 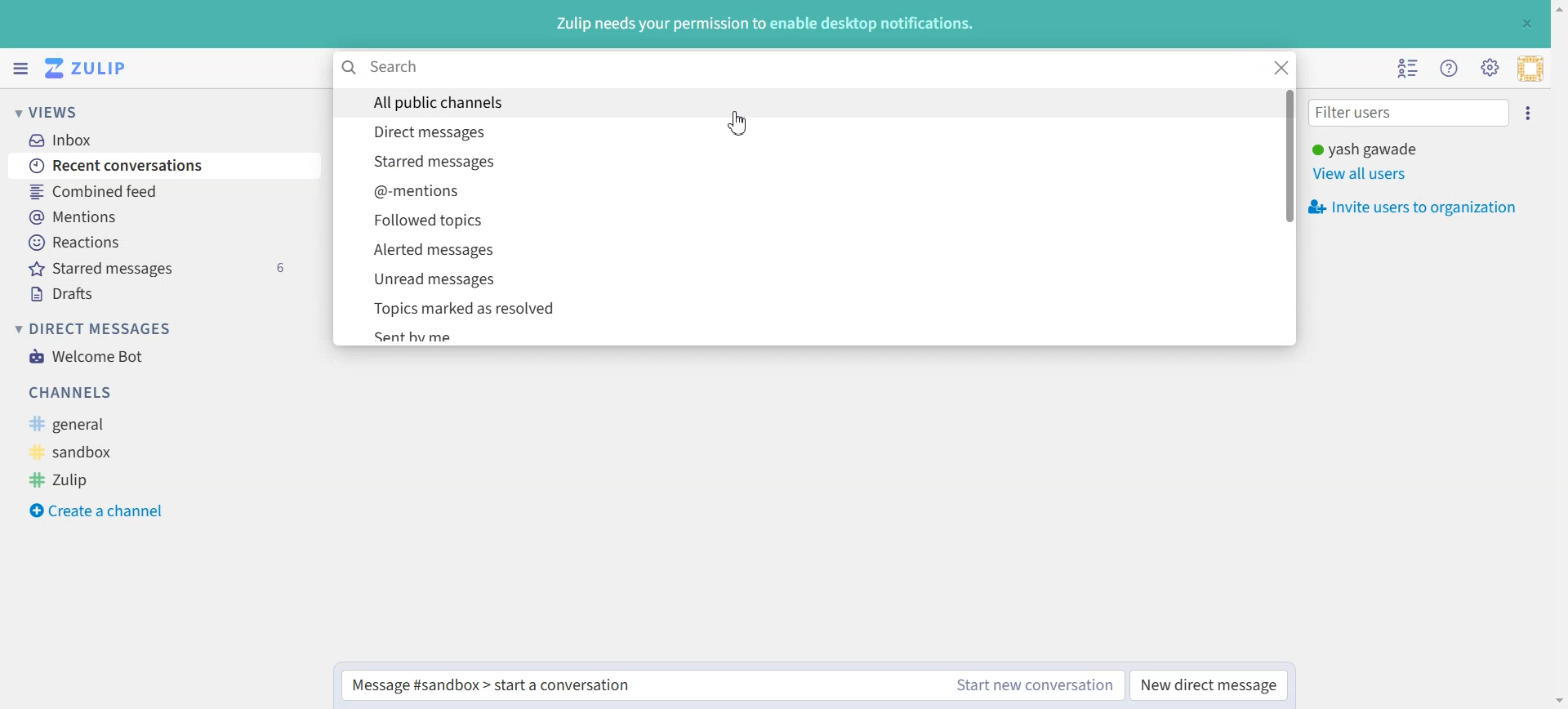 I want to click on Followed topics, so click(x=802, y=220).